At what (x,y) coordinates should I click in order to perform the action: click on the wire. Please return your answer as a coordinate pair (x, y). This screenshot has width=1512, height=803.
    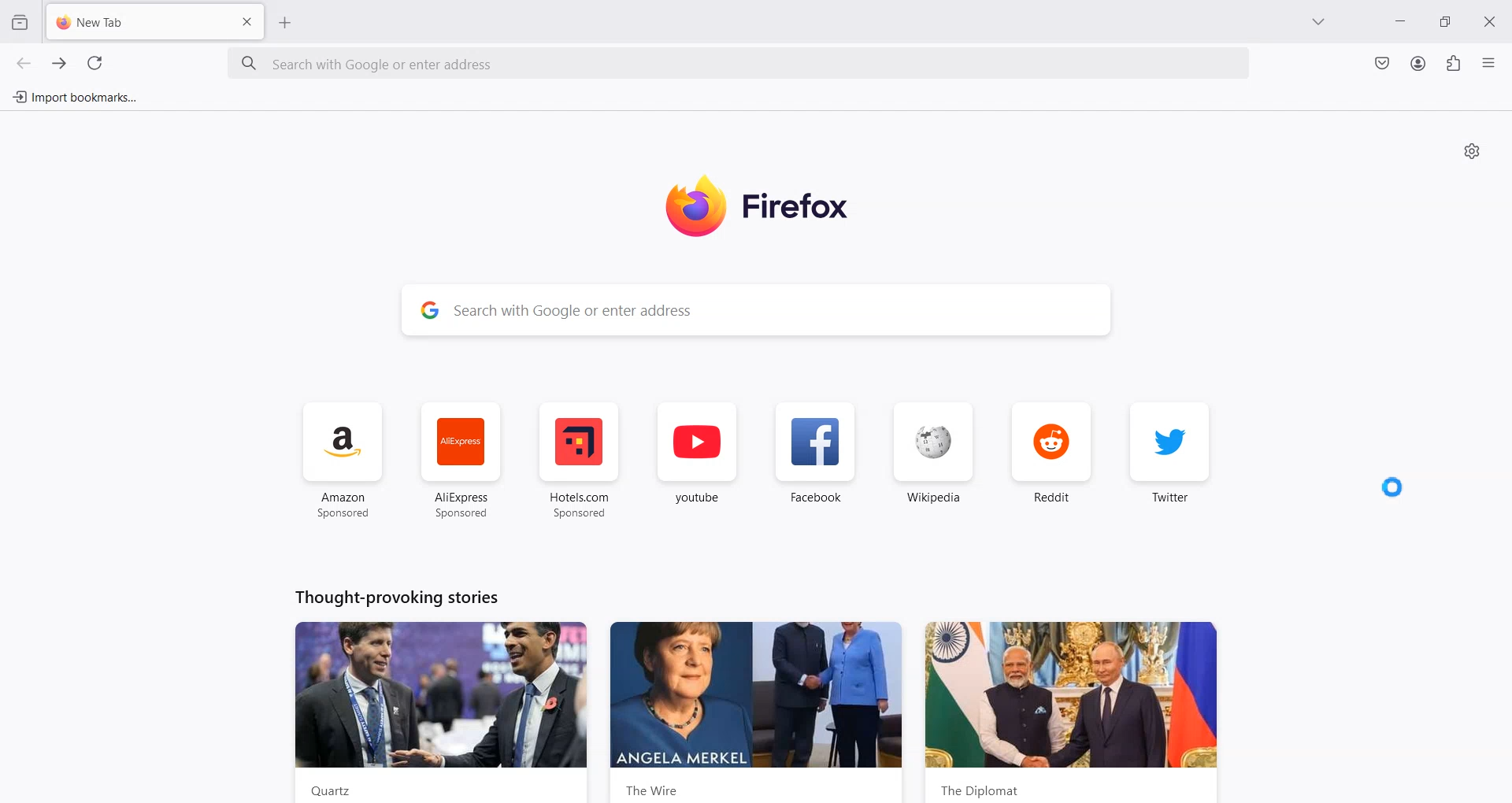
    Looking at the image, I should click on (758, 712).